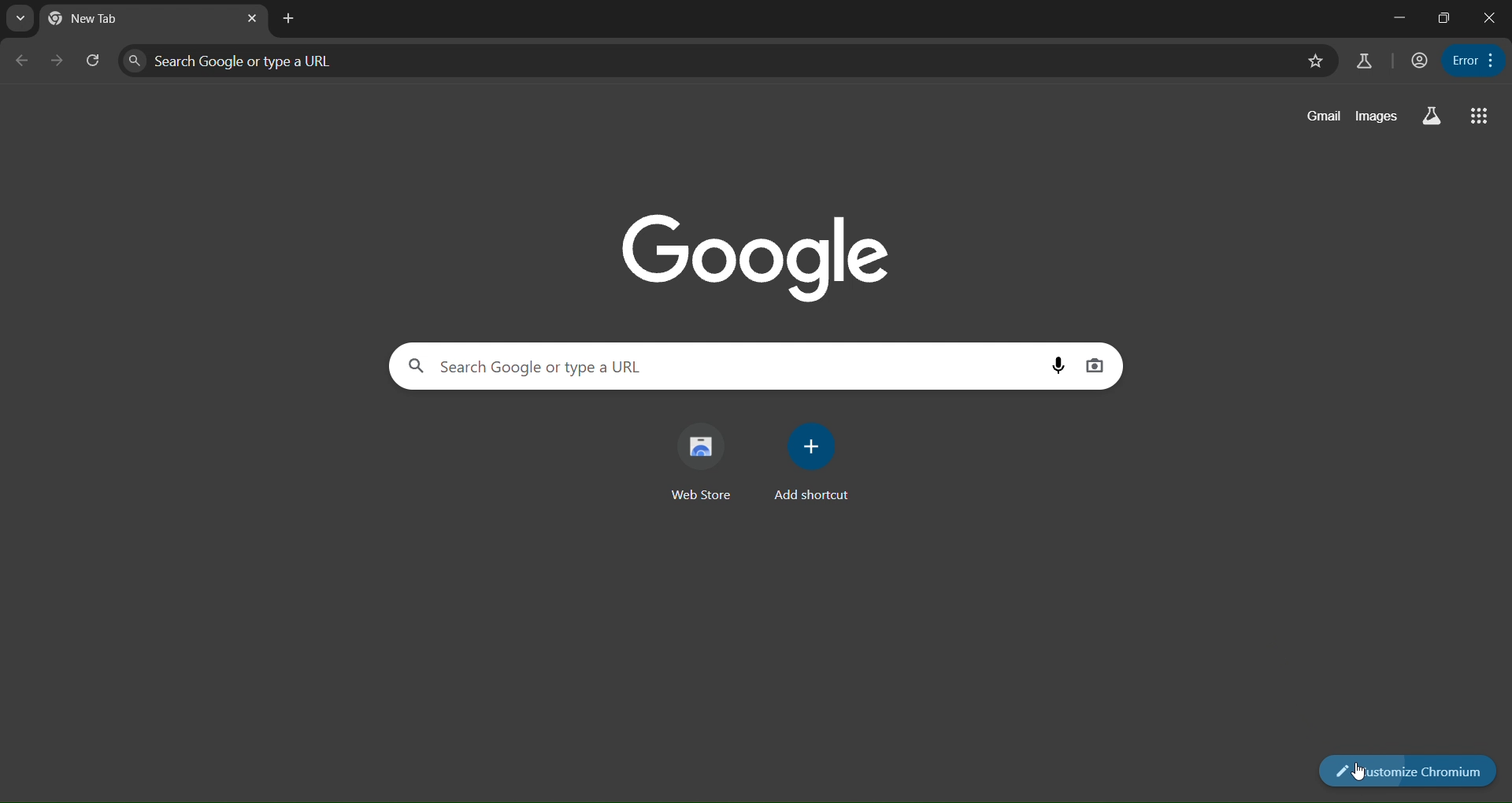 This screenshot has height=803, width=1512. I want to click on go back one page, so click(20, 62).